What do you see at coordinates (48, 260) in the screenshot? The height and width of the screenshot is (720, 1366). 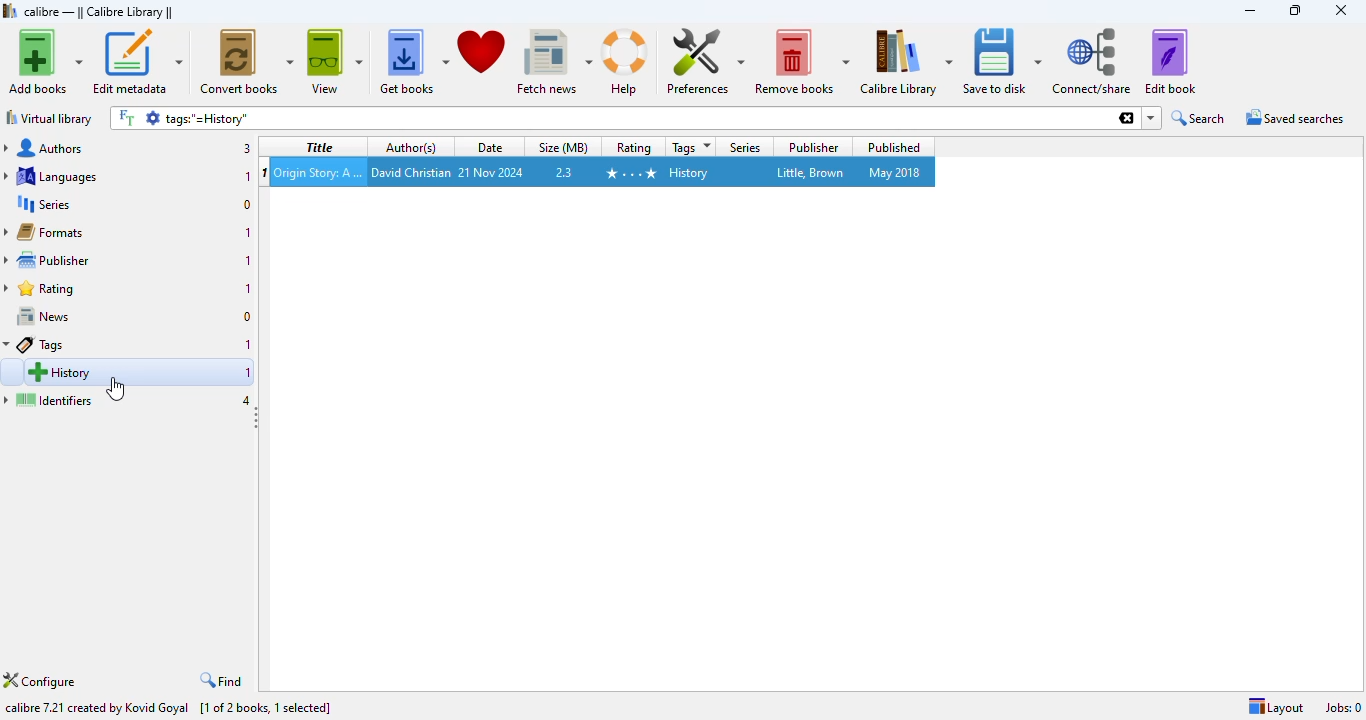 I see `publisher` at bounding box center [48, 260].